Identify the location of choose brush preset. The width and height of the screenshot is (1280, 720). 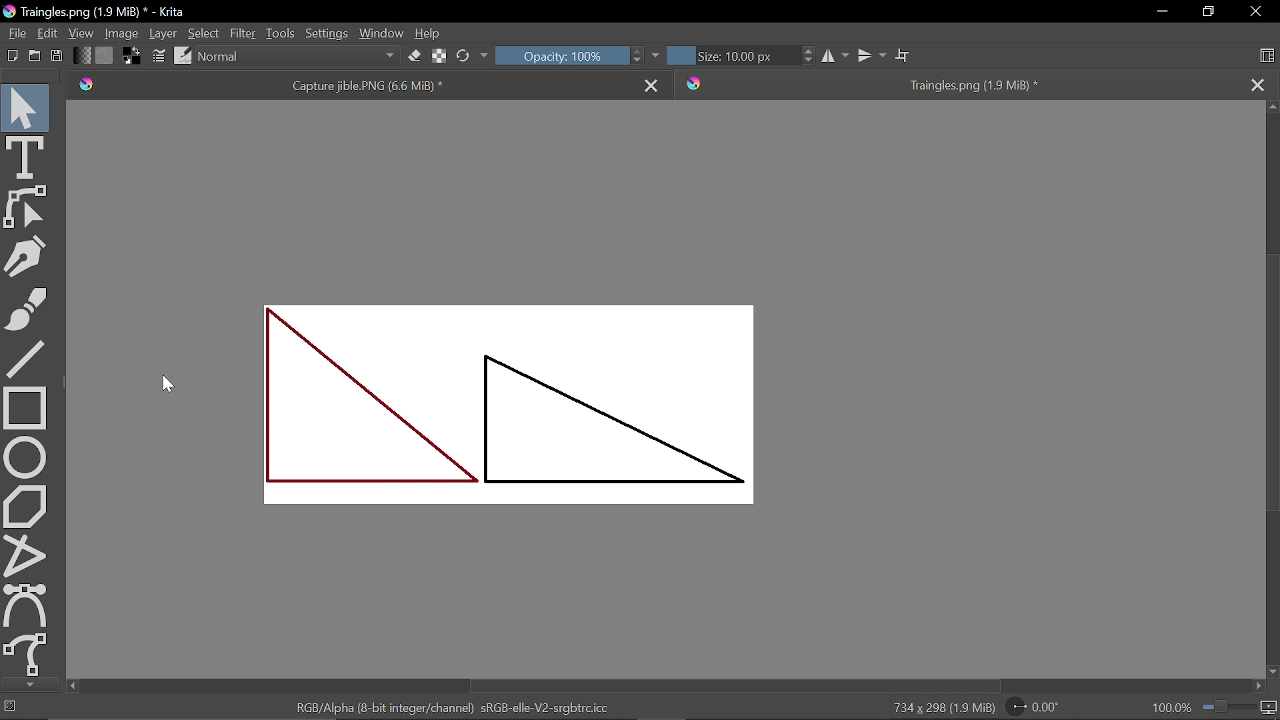
(182, 56).